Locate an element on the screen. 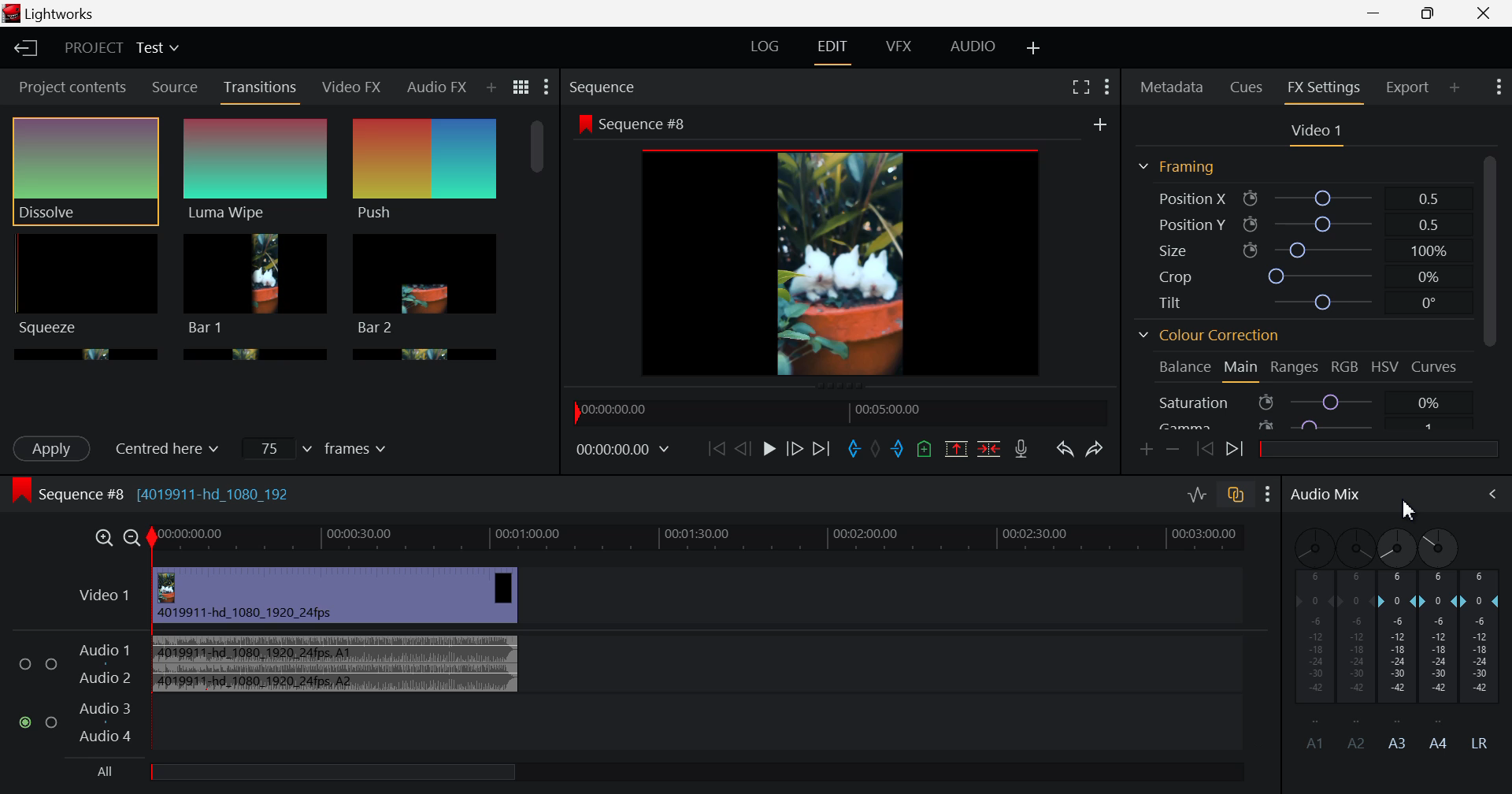 This screenshot has height=794, width=1512. Gamma is located at coordinates (1305, 425).